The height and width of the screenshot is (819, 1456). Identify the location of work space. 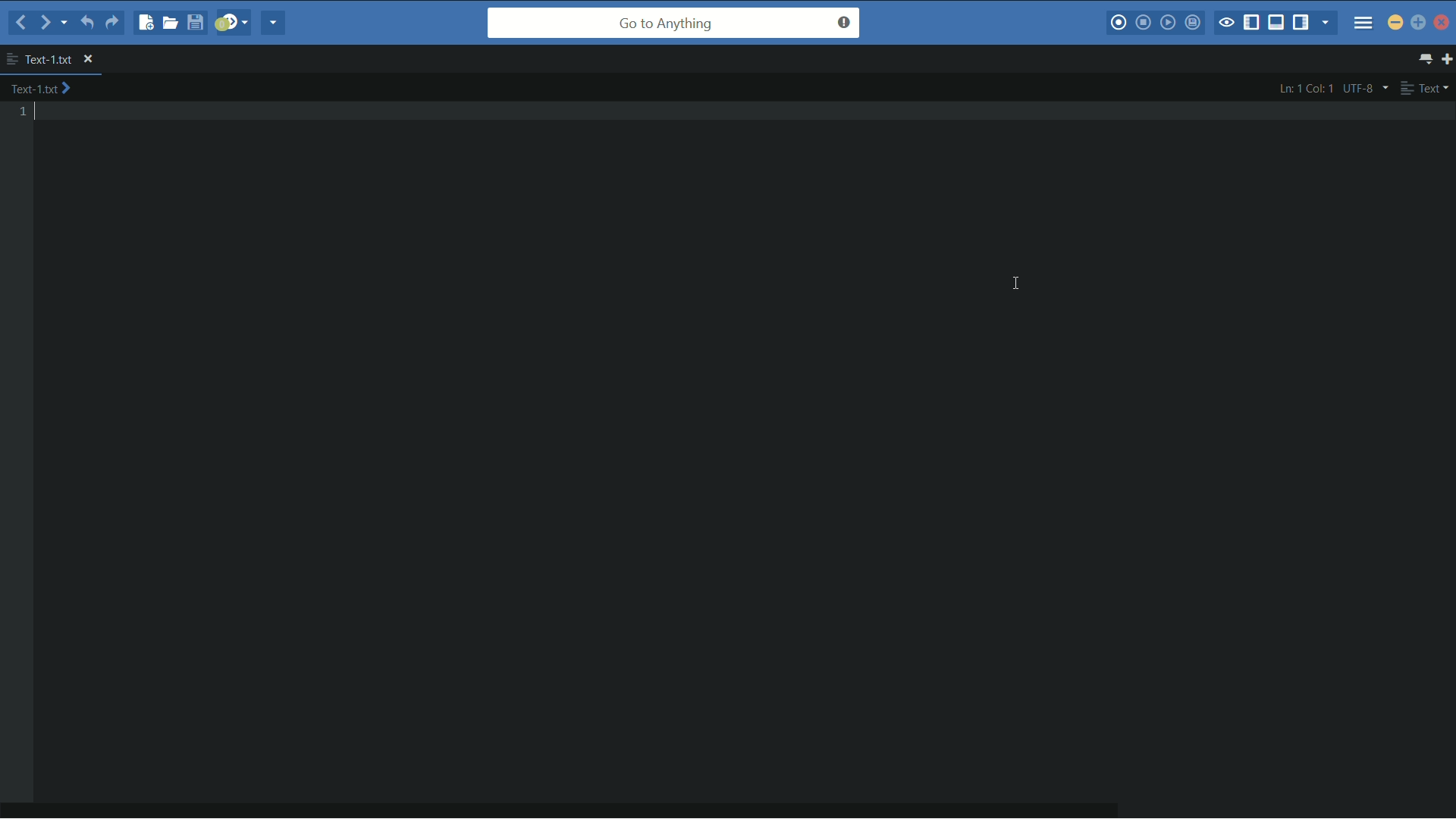
(736, 441).